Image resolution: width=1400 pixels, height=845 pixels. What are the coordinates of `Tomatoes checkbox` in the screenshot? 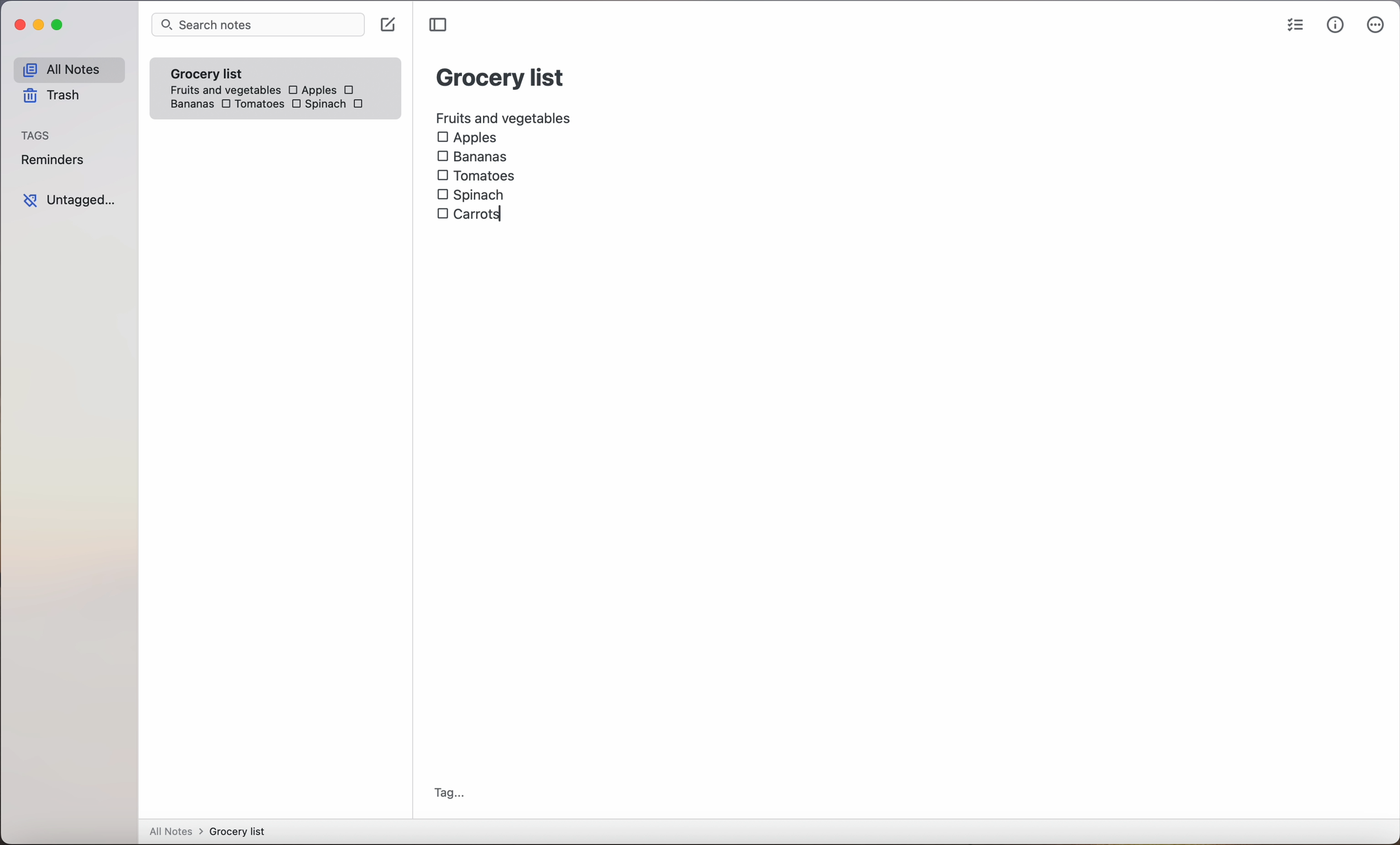 It's located at (476, 176).